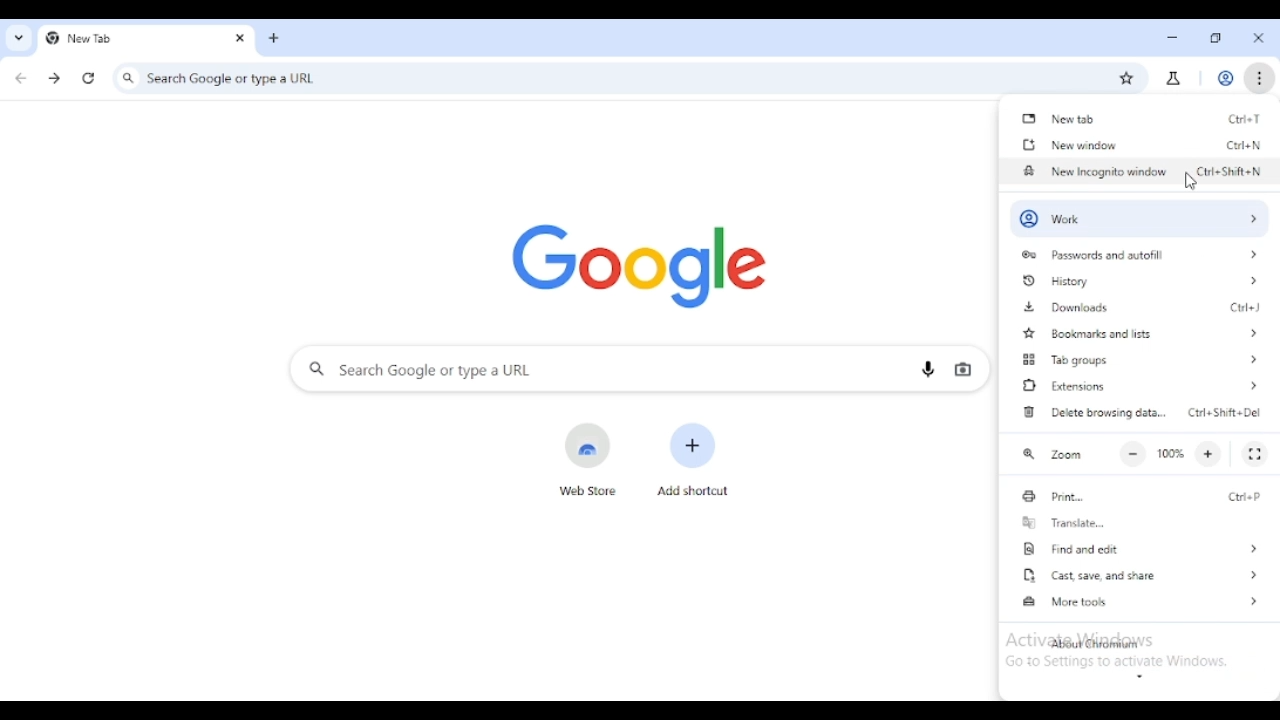 This screenshot has height=720, width=1280. Describe the element at coordinates (1260, 38) in the screenshot. I see `close` at that location.